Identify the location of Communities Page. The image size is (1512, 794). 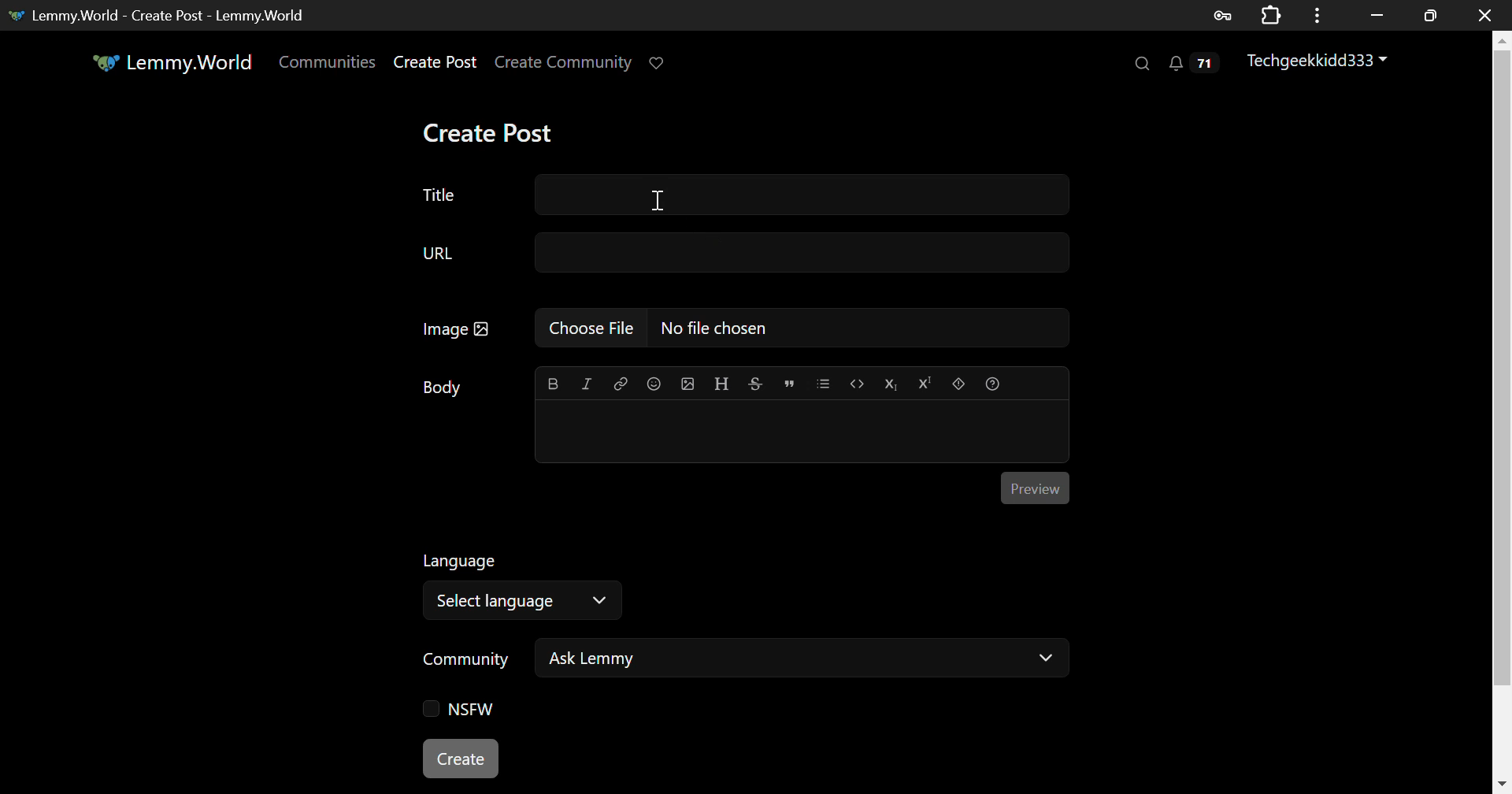
(329, 63).